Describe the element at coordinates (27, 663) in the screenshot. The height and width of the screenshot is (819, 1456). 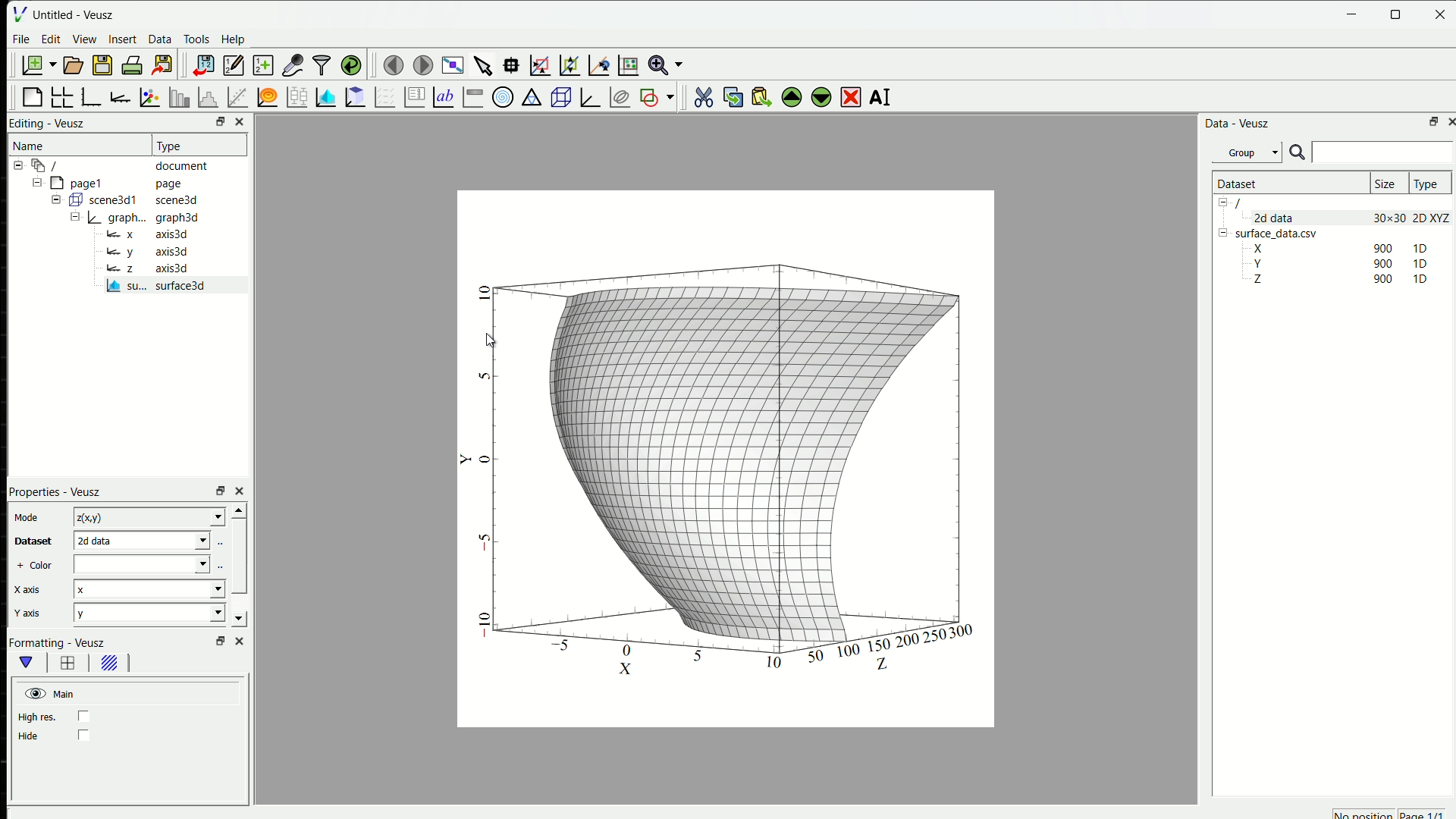
I see `main formatting ` at that location.